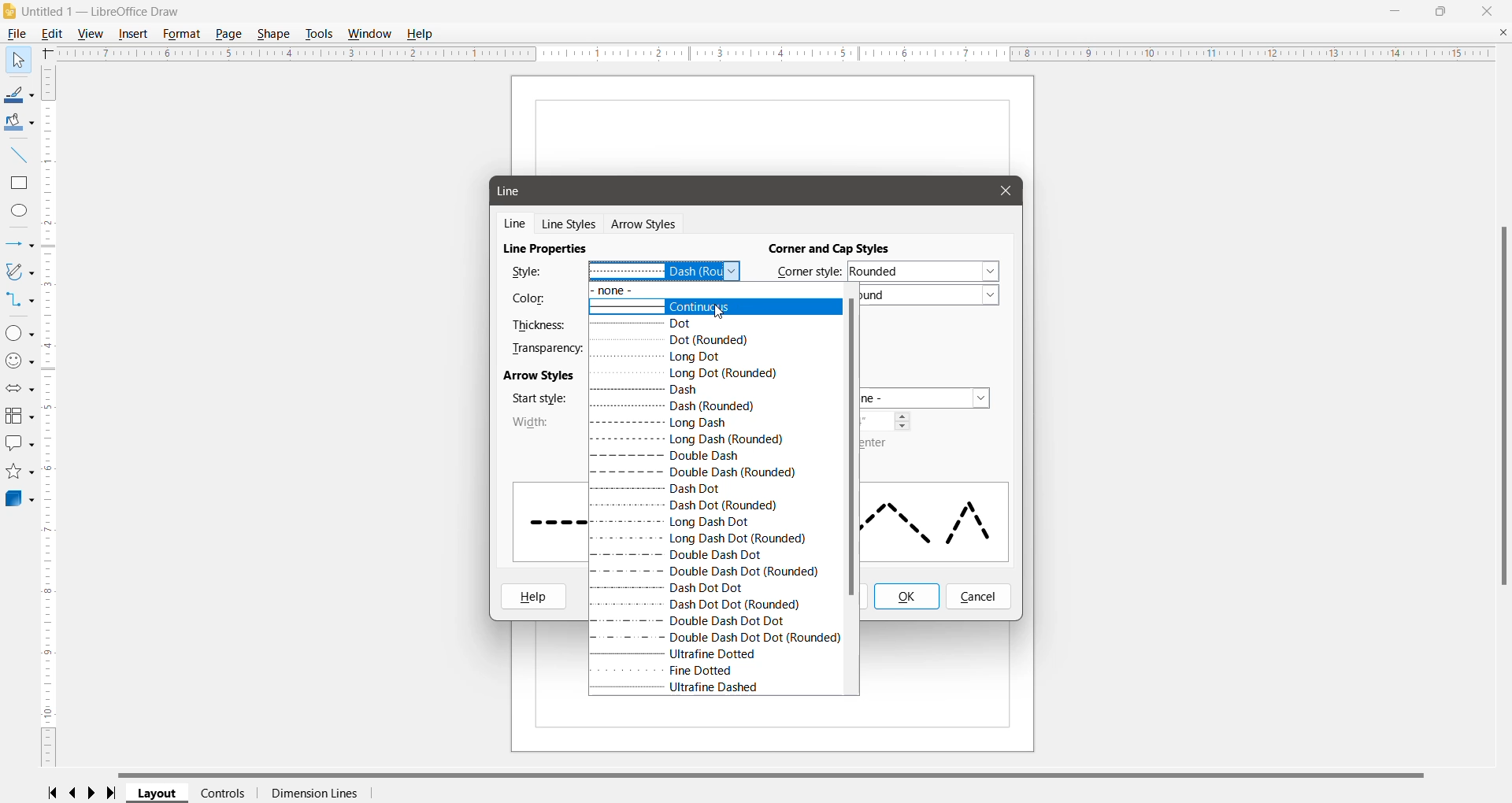 This screenshot has width=1512, height=803. Describe the element at coordinates (20, 498) in the screenshot. I see `3D Objects` at that location.